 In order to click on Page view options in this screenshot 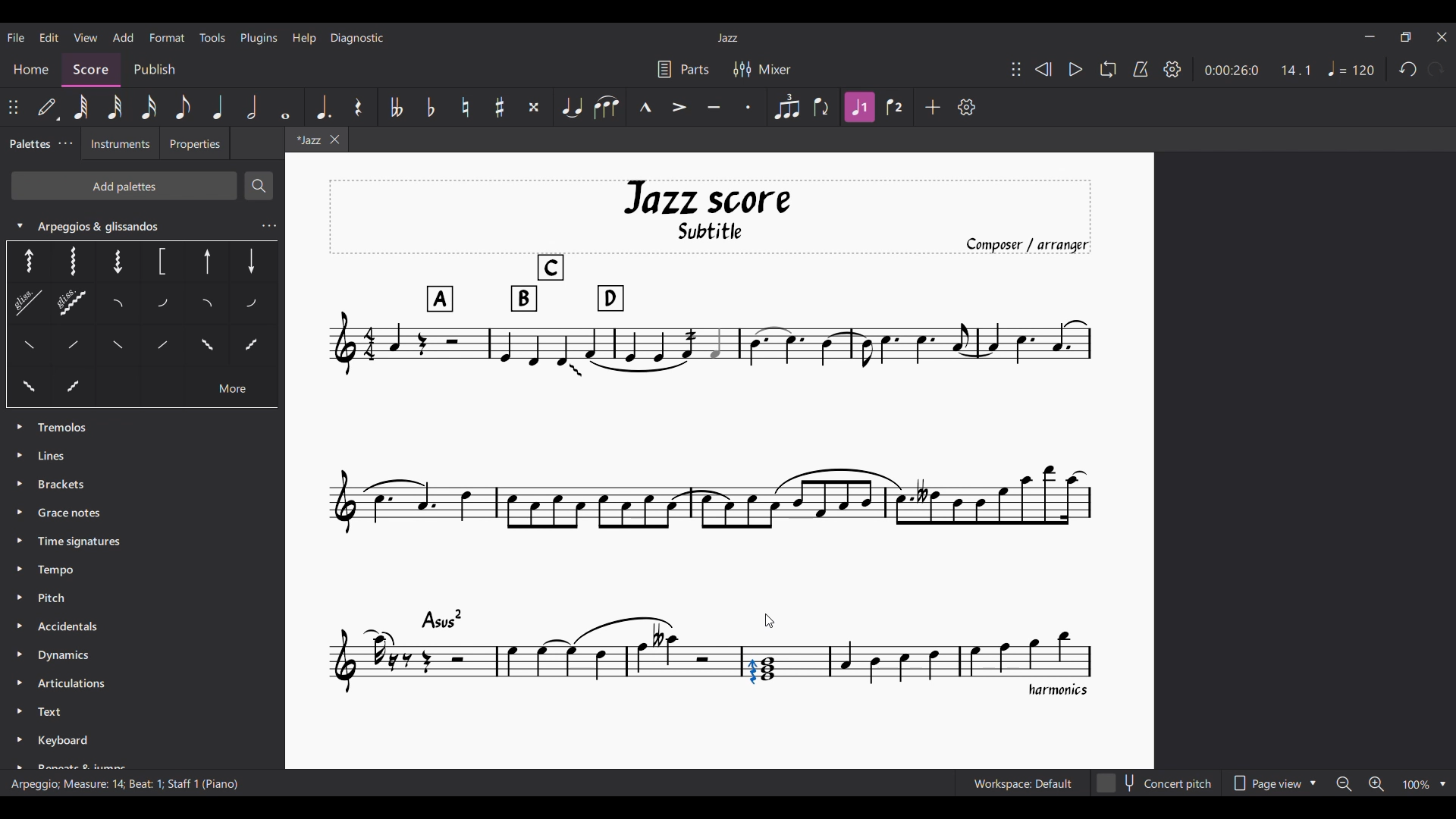, I will do `click(1276, 783)`.